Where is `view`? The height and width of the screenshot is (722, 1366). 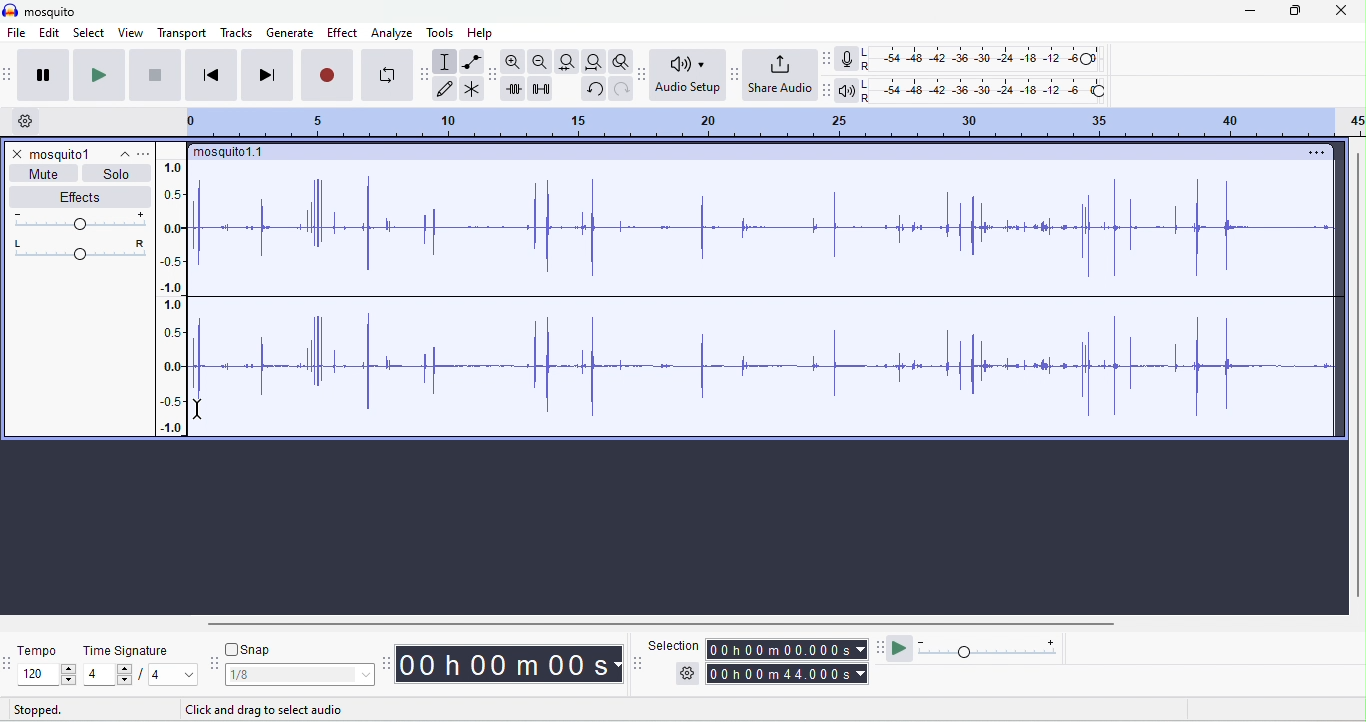 view is located at coordinates (132, 34).